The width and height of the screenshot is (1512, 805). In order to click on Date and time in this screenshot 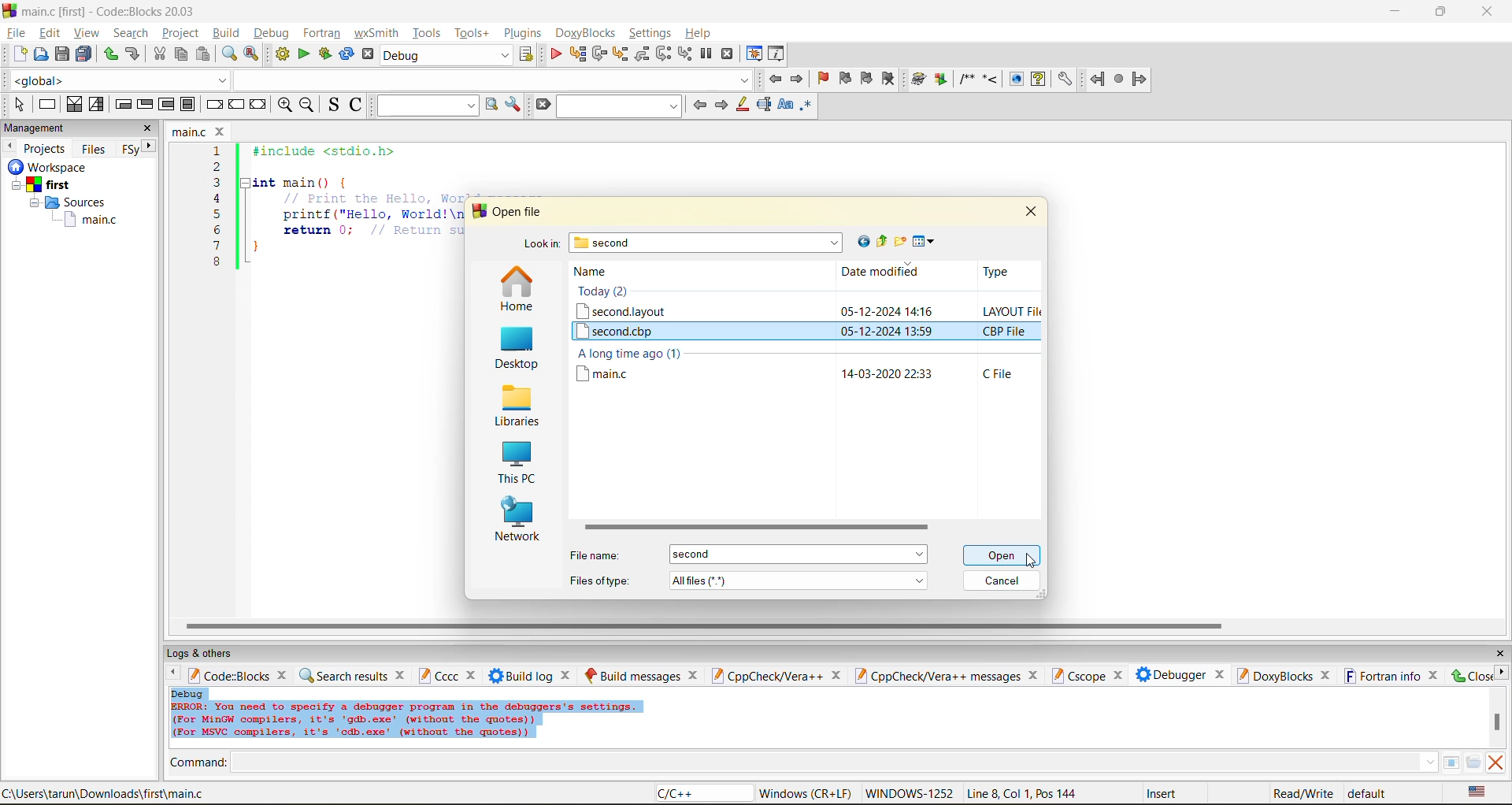, I will do `click(885, 310)`.